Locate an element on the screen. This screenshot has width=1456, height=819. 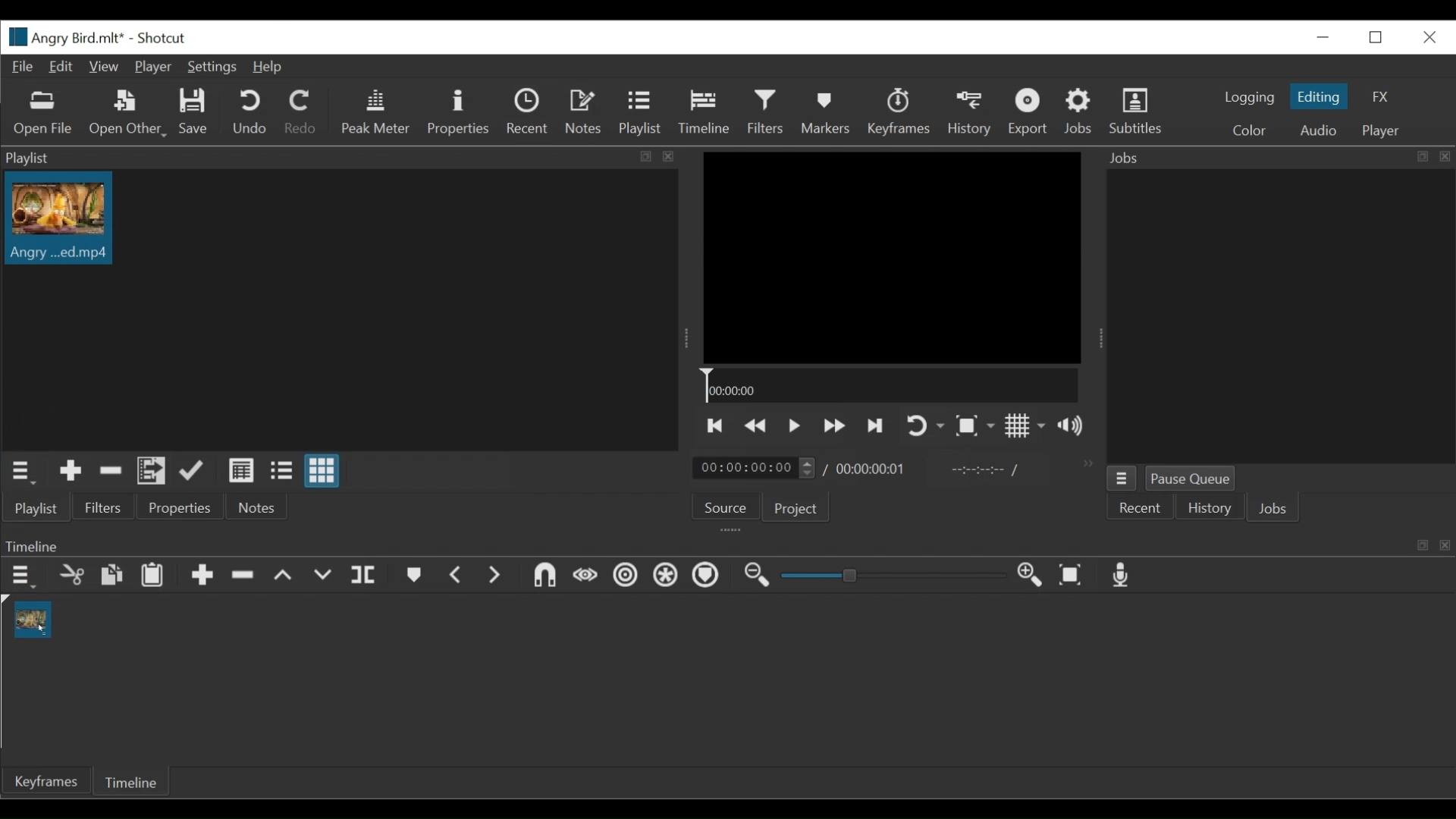
Shotcut is located at coordinates (166, 37).